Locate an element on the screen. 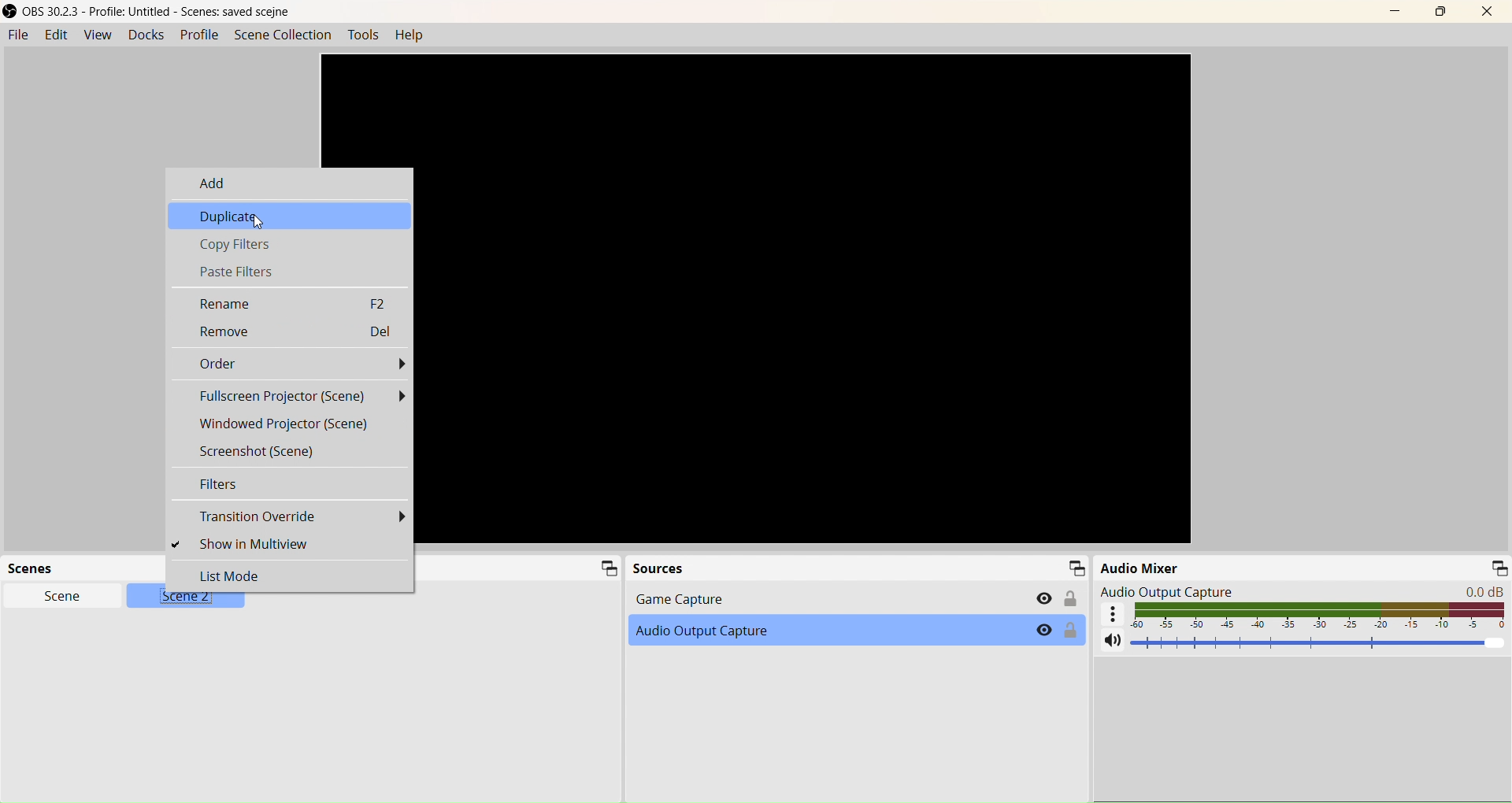  Docks is located at coordinates (146, 34).